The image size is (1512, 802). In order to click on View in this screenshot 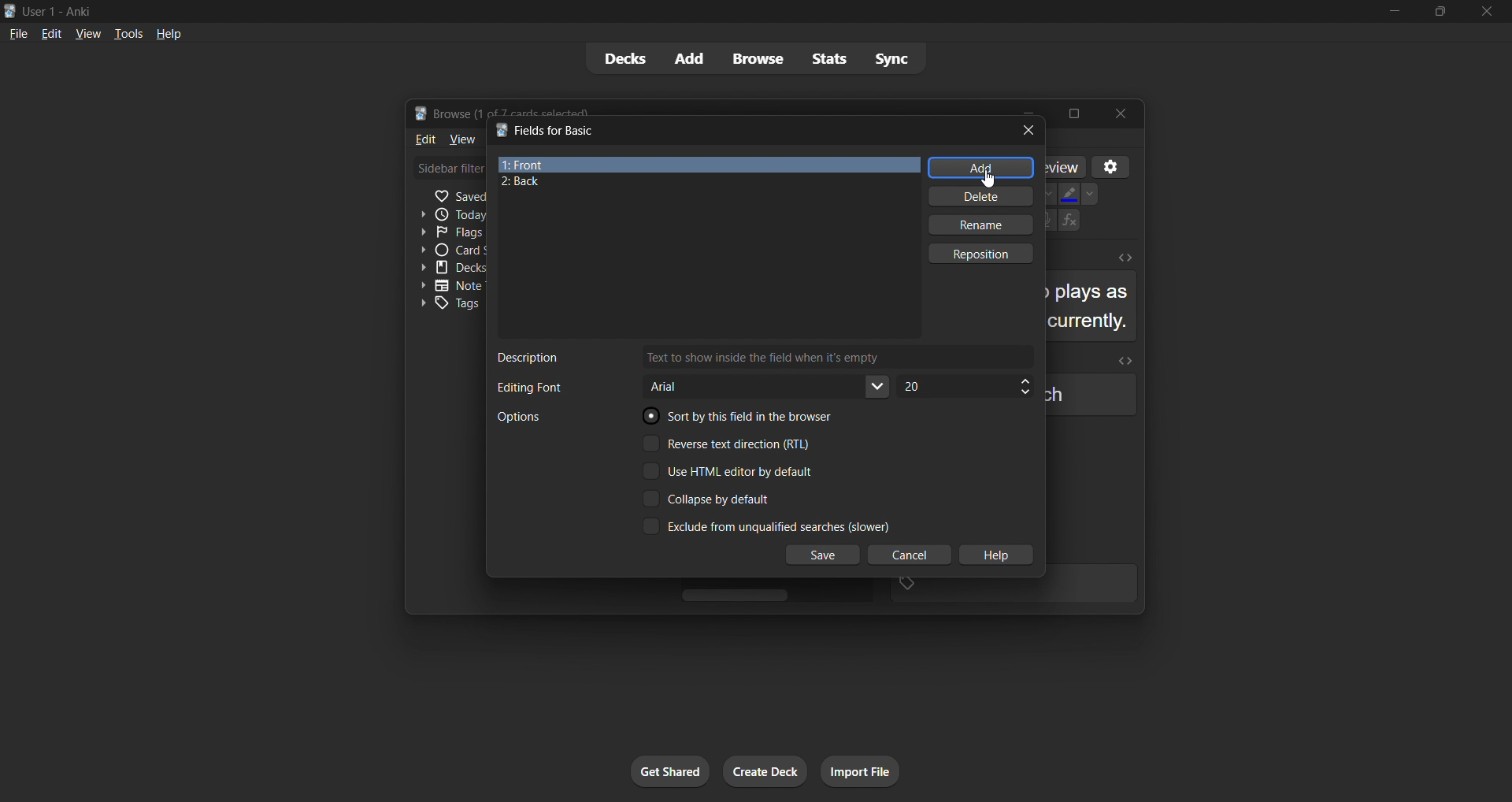, I will do `click(462, 142)`.